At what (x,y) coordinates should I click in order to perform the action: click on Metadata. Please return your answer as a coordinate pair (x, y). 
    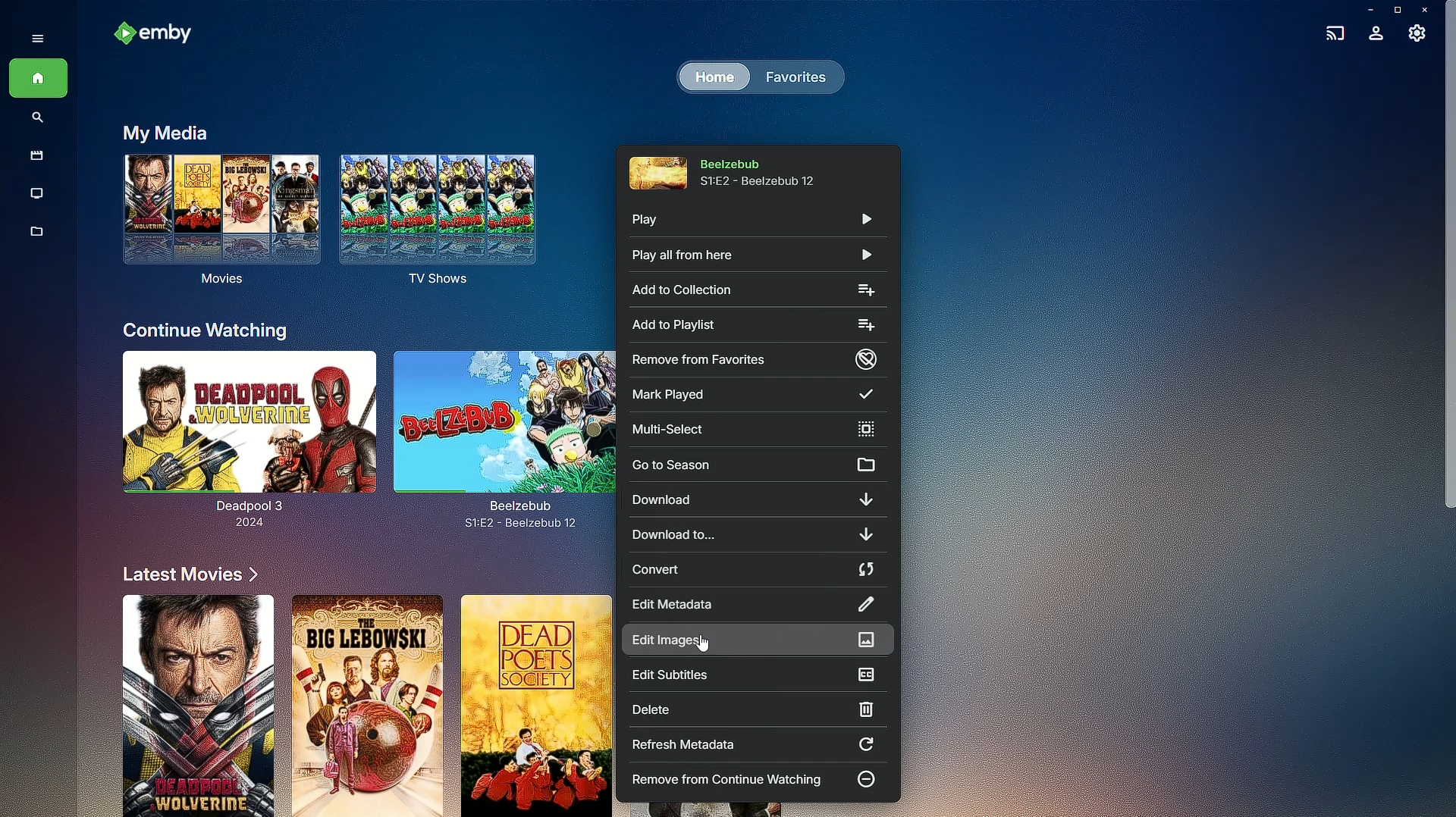
    Looking at the image, I should click on (38, 239).